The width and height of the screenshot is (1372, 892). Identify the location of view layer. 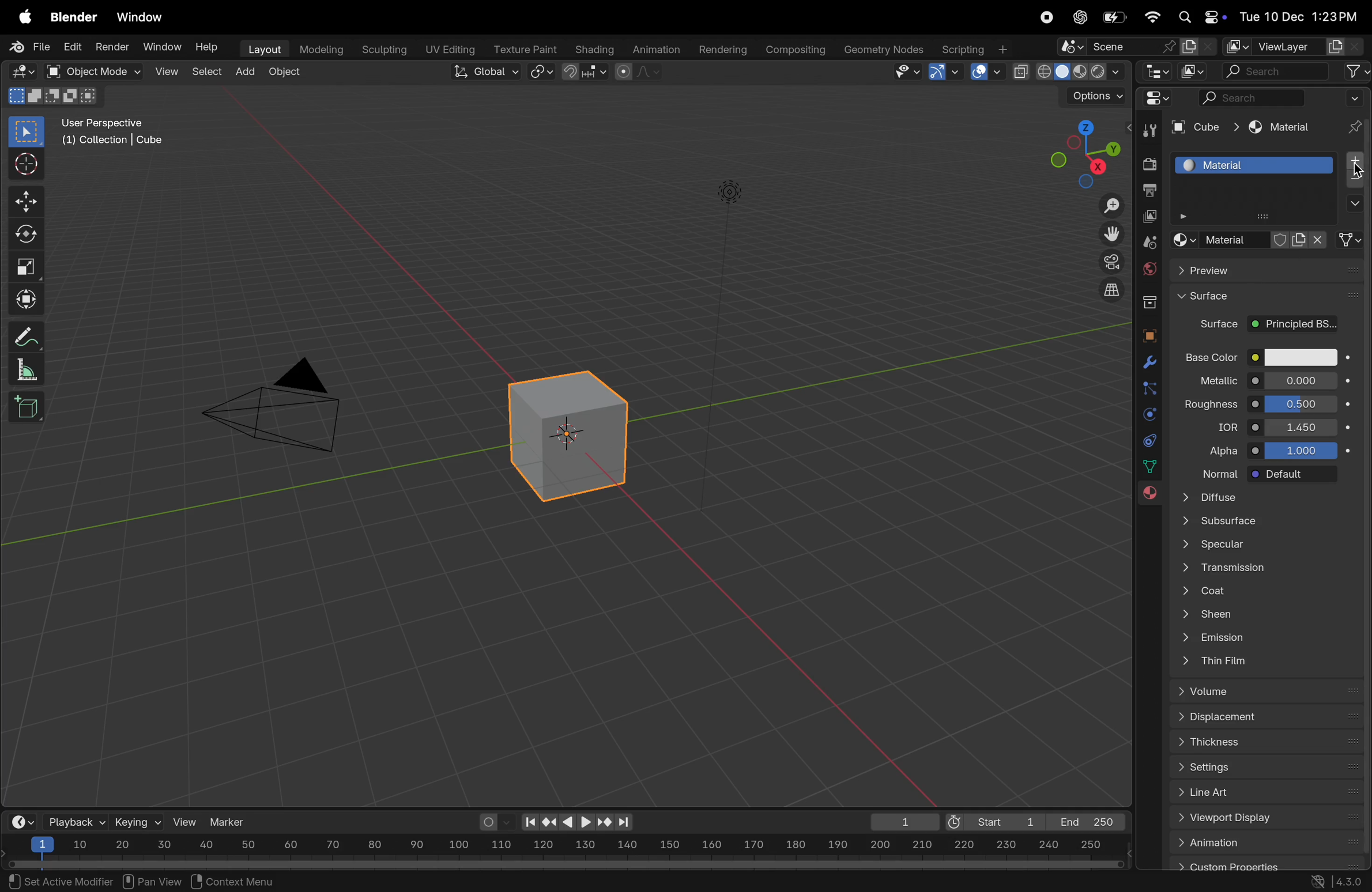
(1151, 217).